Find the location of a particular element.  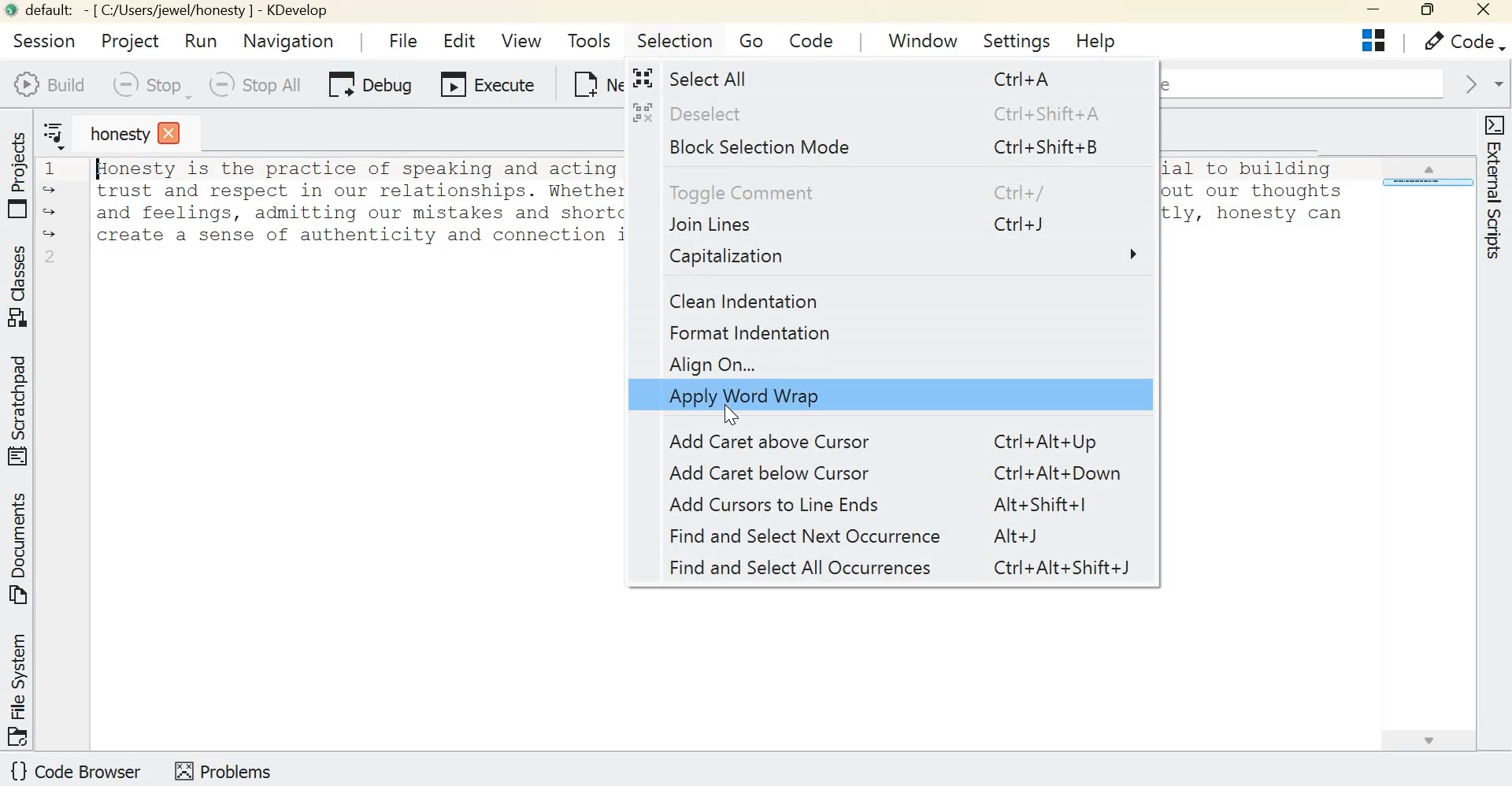

Apply word wrap is located at coordinates (747, 395).